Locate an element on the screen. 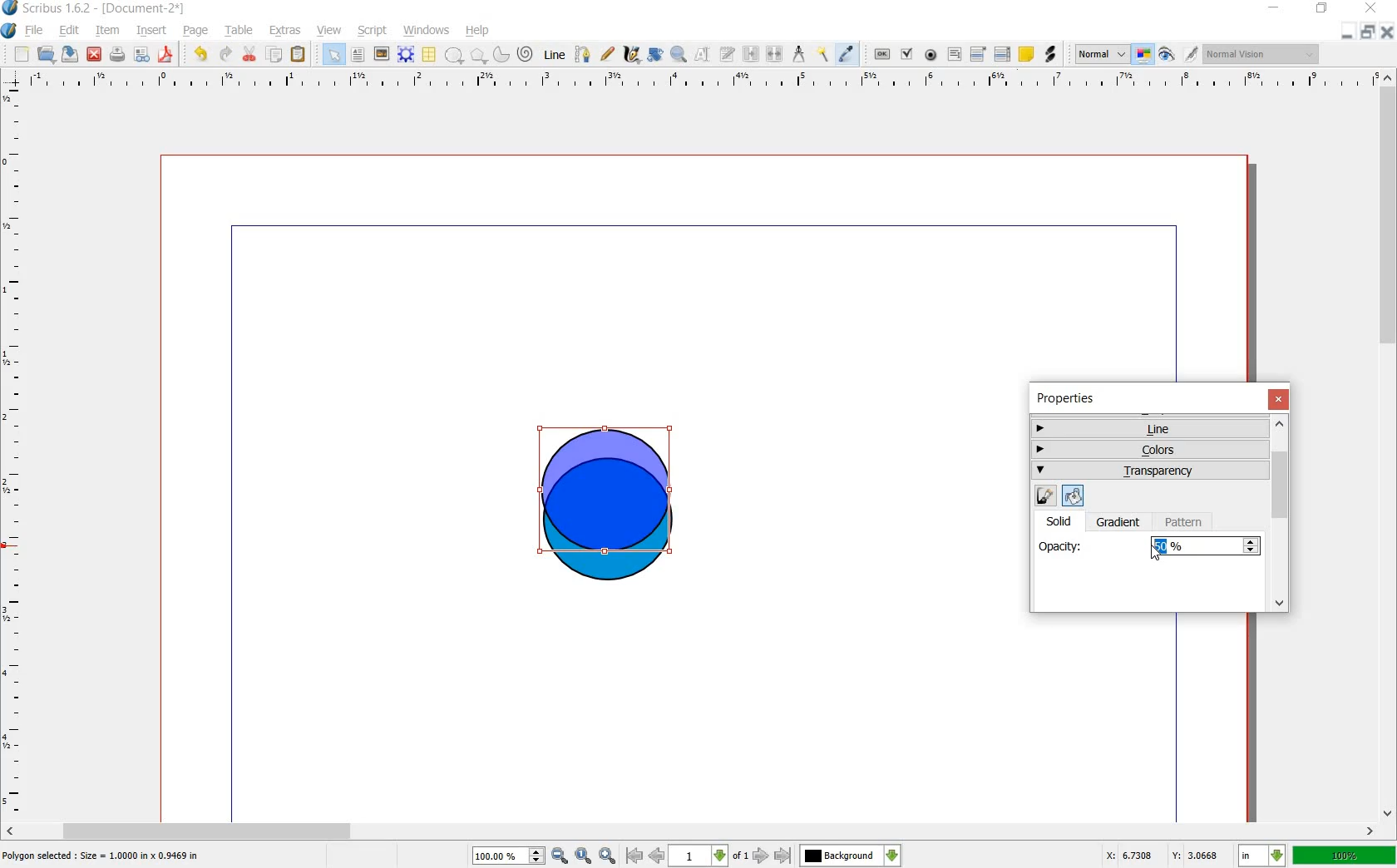 The height and width of the screenshot is (868, 1397). normal  is located at coordinates (1099, 54).